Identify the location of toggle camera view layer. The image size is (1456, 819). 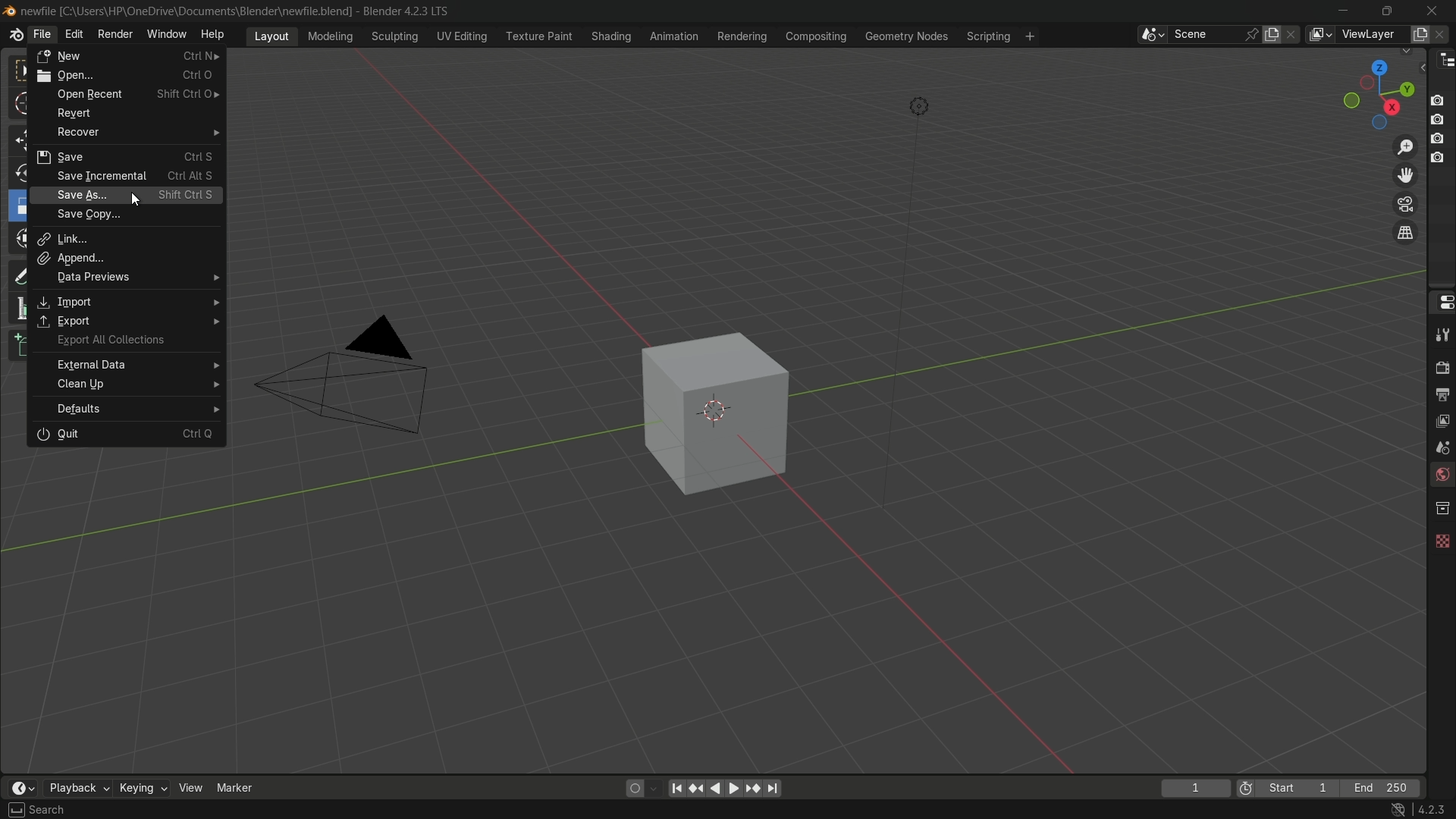
(1405, 202).